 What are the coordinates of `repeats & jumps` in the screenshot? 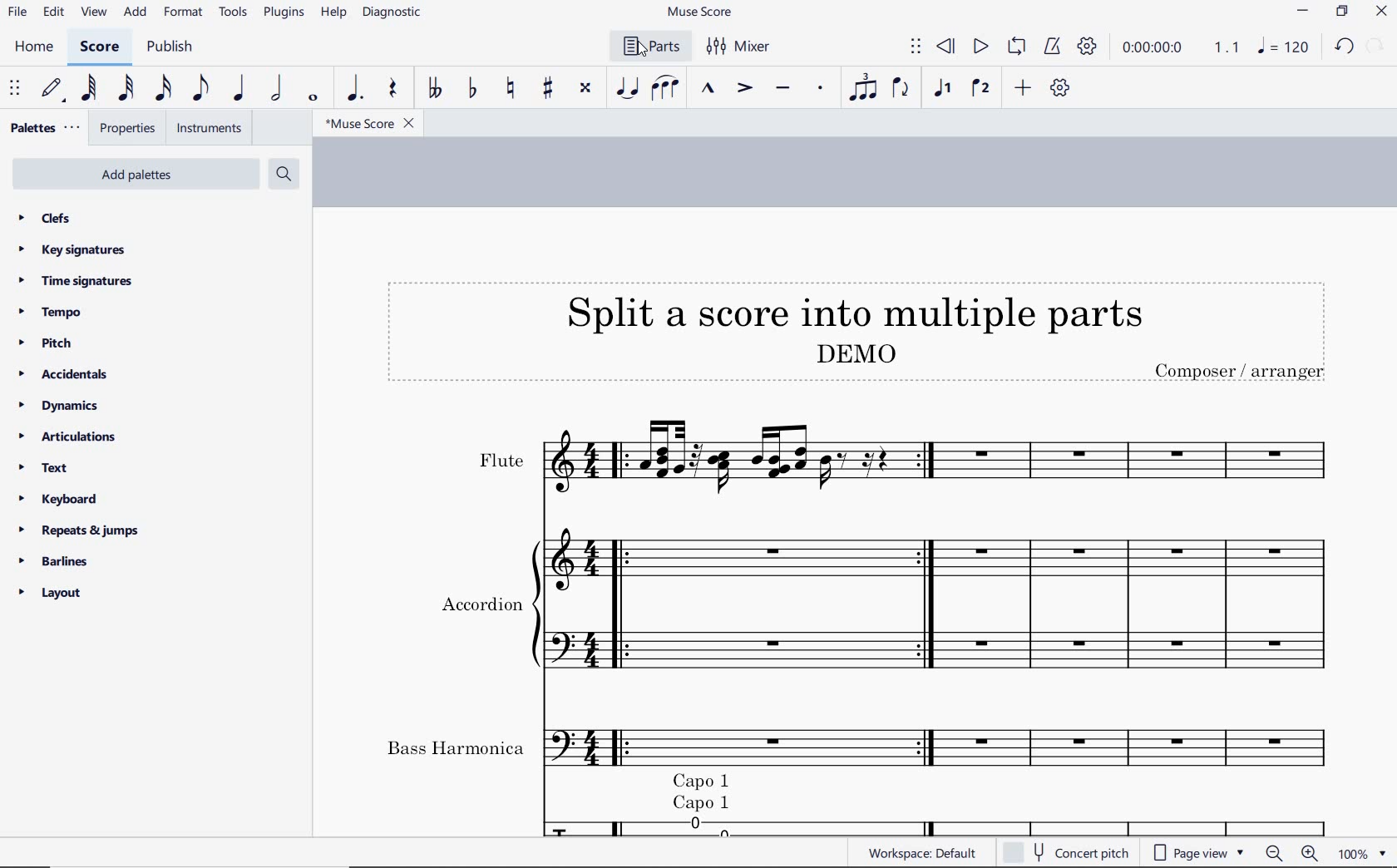 It's located at (82, 531).